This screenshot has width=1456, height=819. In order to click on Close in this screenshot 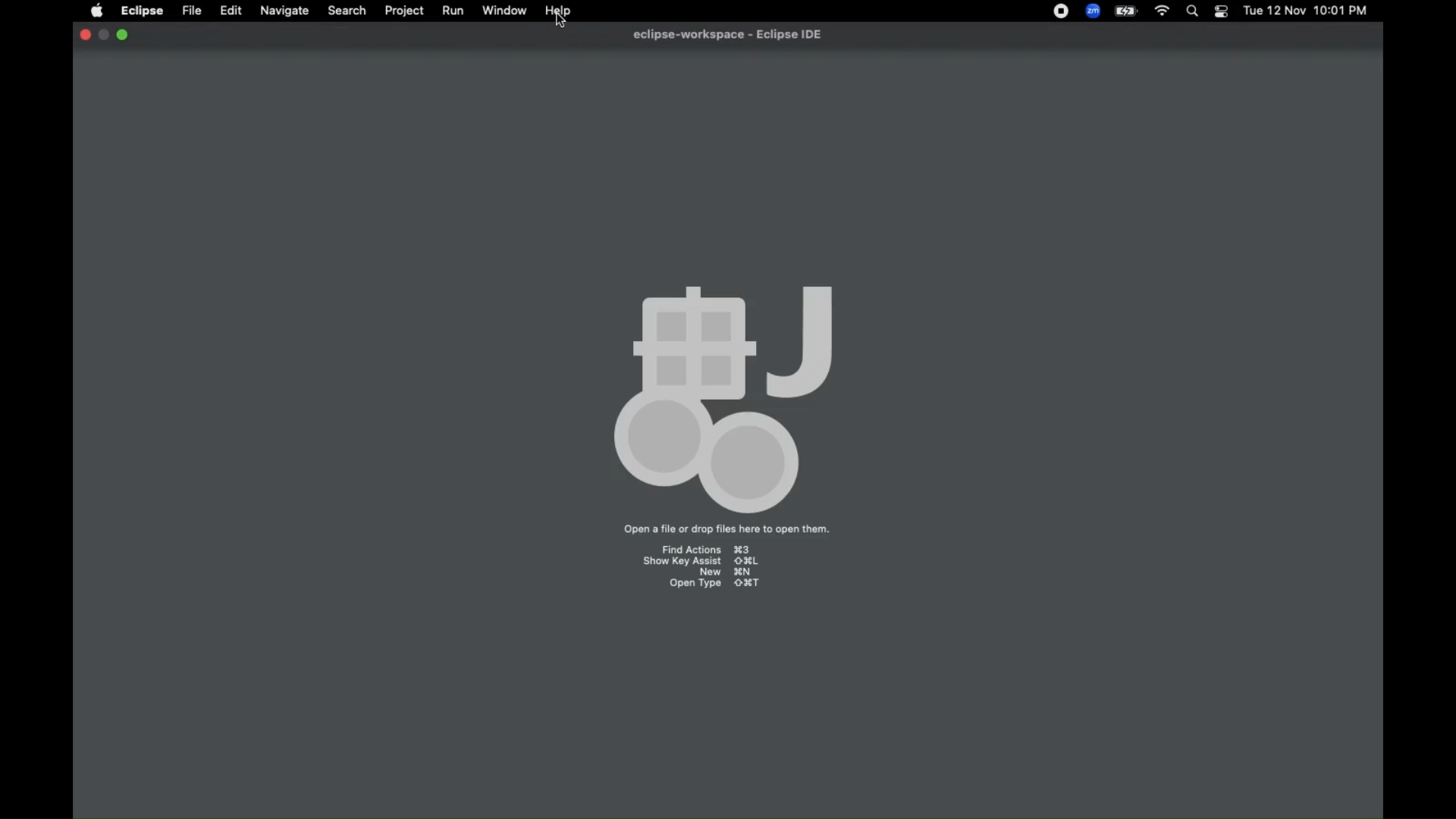, I will do `click(83, 35)`.